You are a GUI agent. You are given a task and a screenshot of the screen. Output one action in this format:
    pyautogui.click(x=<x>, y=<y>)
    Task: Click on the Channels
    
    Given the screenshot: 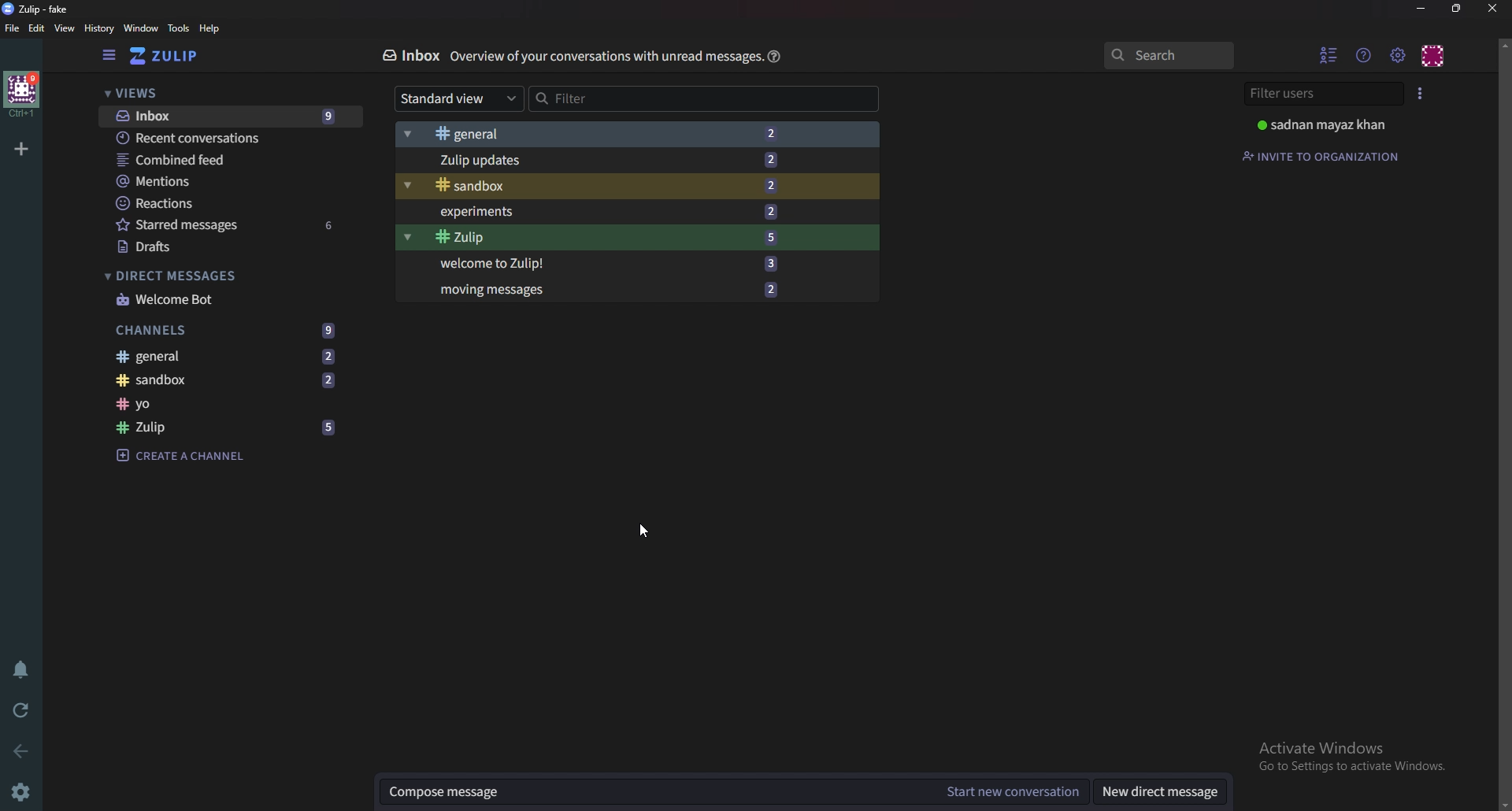 What is the action you would take?
    pyautogui.click(x=222, y=330)
    